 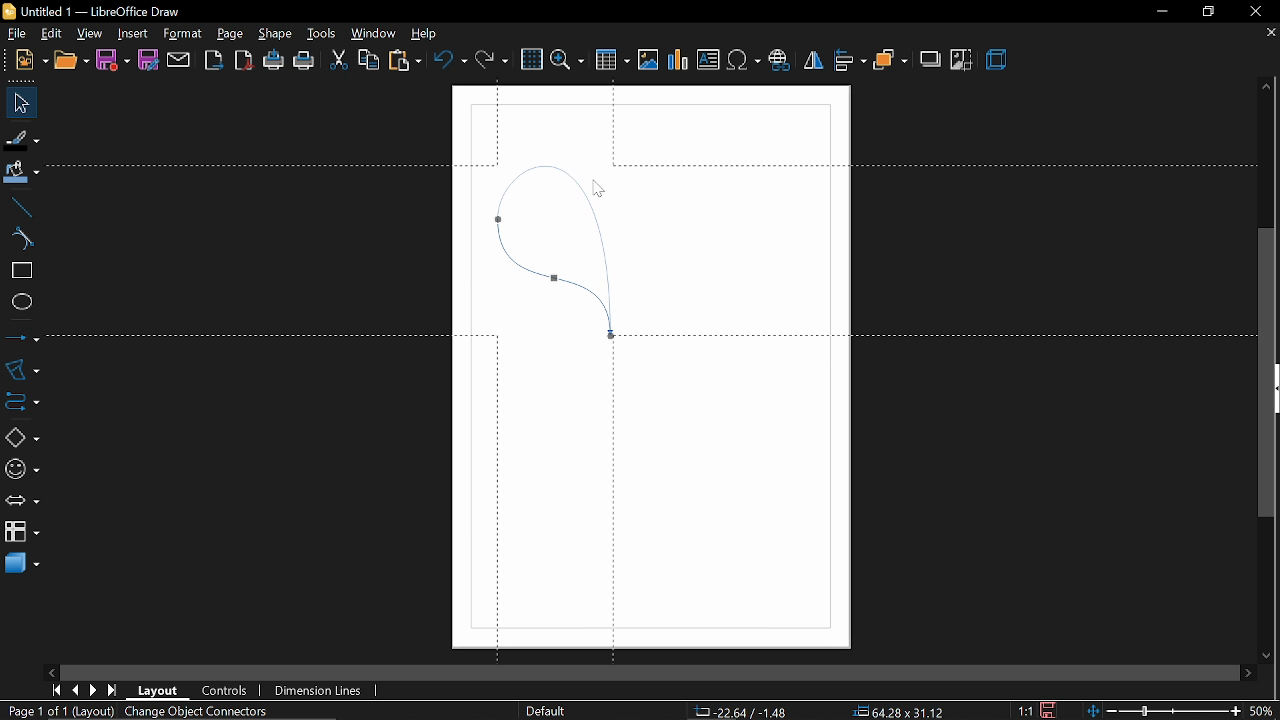 I want to click on crop, so click(x=962, y=60).